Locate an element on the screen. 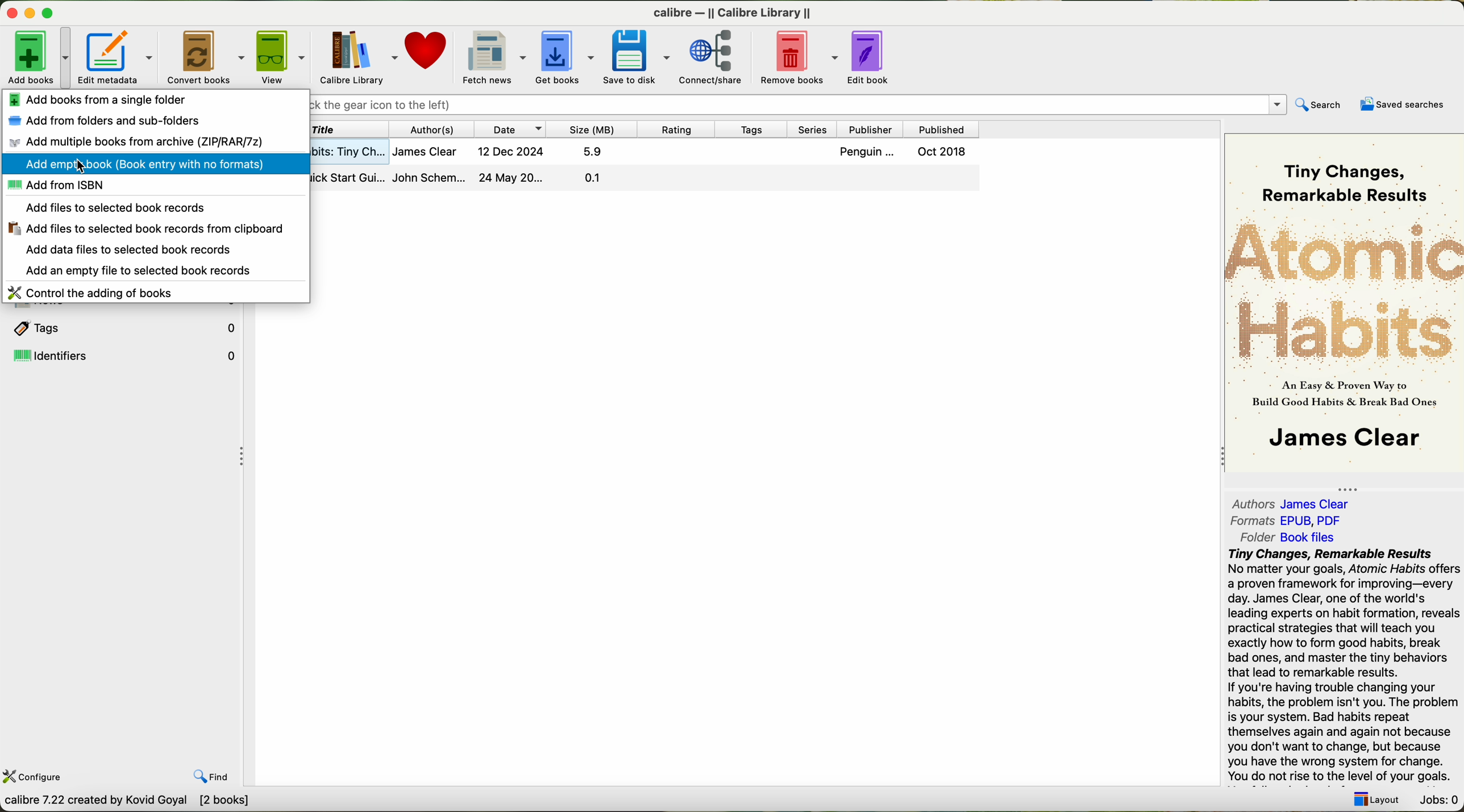 Image resolution: width=1464 pixels, height=812 pixels. authors is located at coordinates (428, 129).